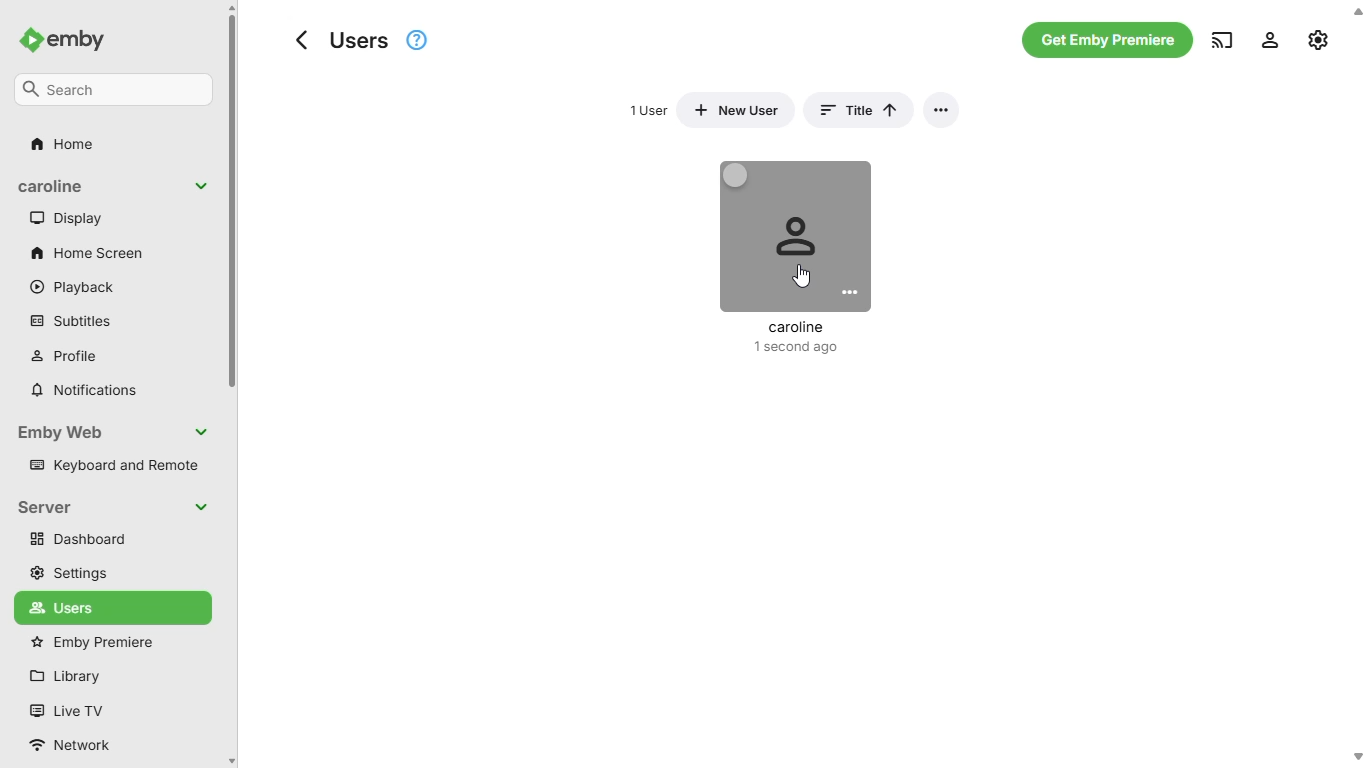 The image size is (1366, 768). I want to click on emby, so click(63, 39).